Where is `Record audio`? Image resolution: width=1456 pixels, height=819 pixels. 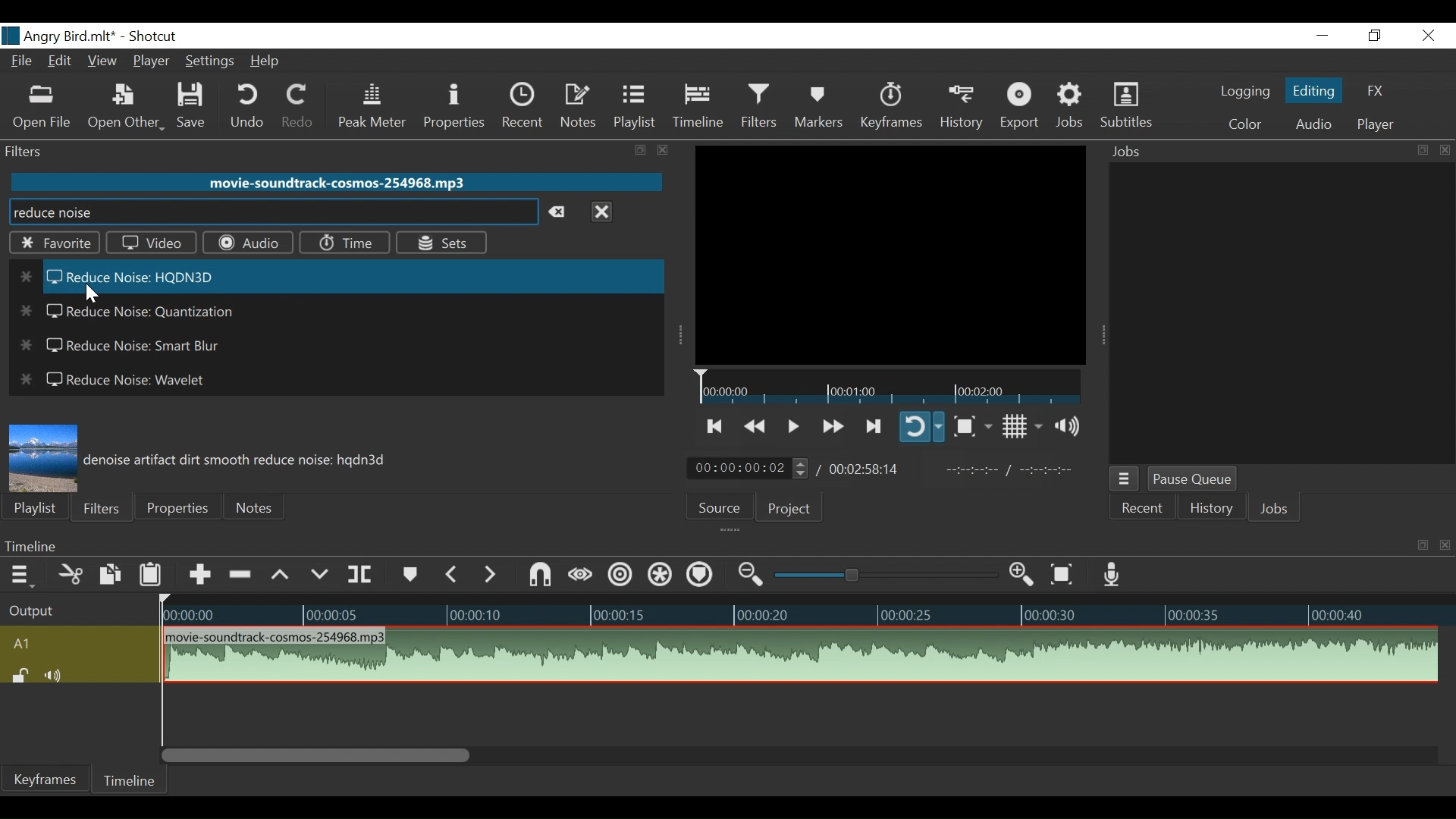
Record audio is located at coordinates (1114, 576).